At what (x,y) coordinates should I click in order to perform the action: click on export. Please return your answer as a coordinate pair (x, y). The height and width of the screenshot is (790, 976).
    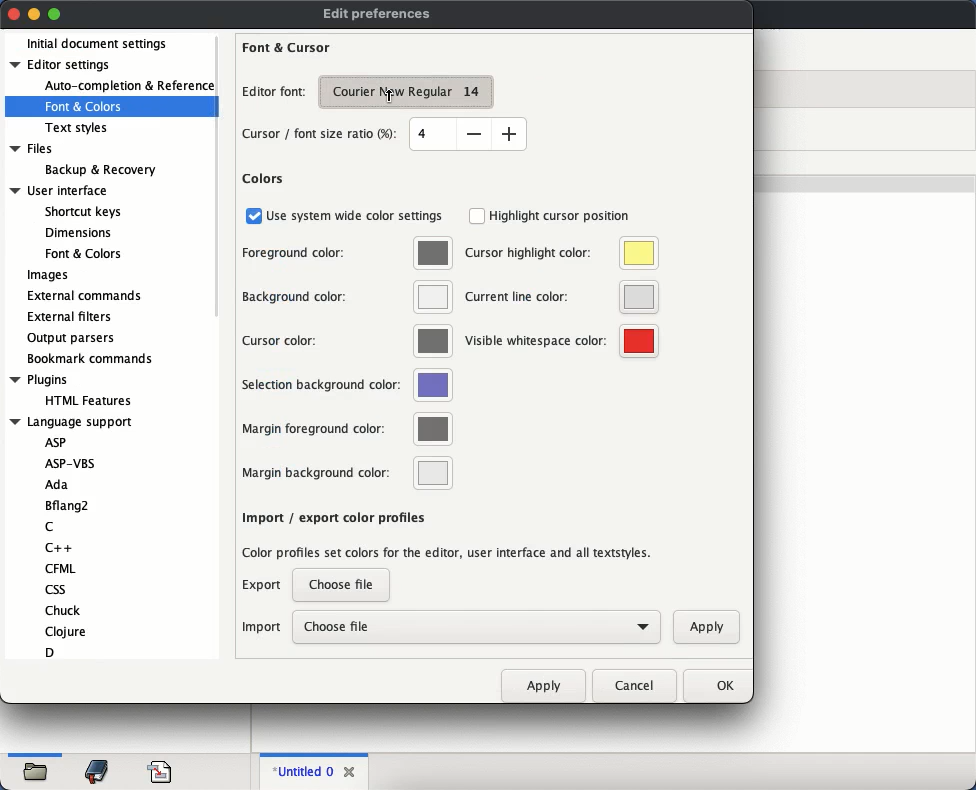
    Looking at the image, I should click on (263, 586).